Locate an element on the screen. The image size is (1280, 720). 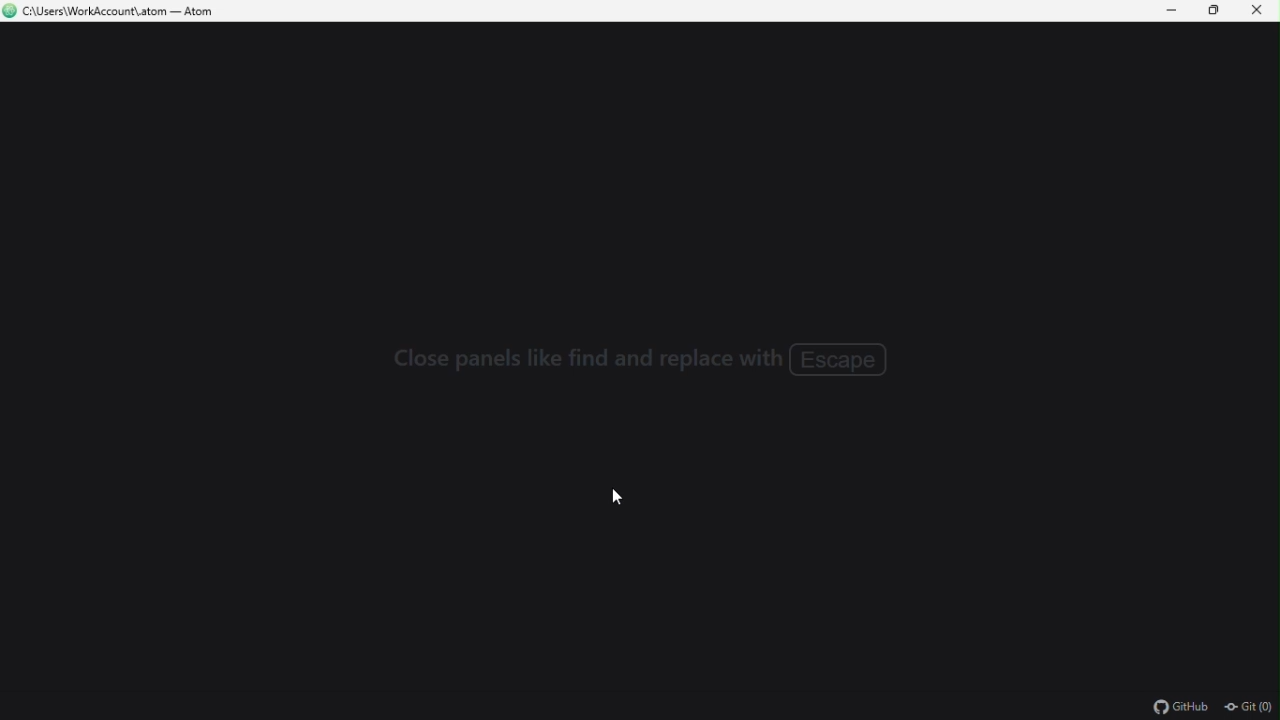
Close is located at coordinates (1258, 15).